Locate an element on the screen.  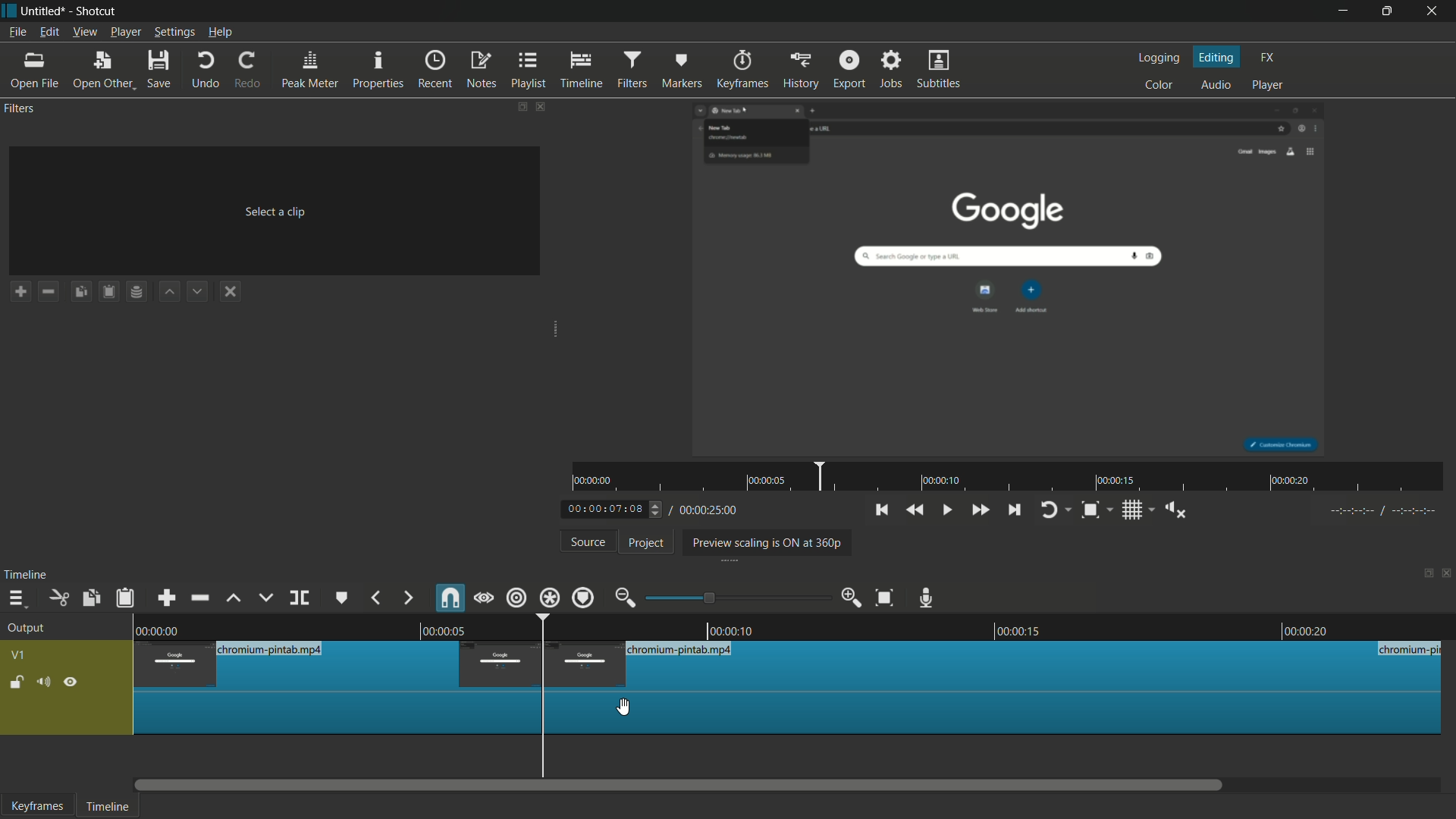
move filter down is located at coordinates (196, 291).